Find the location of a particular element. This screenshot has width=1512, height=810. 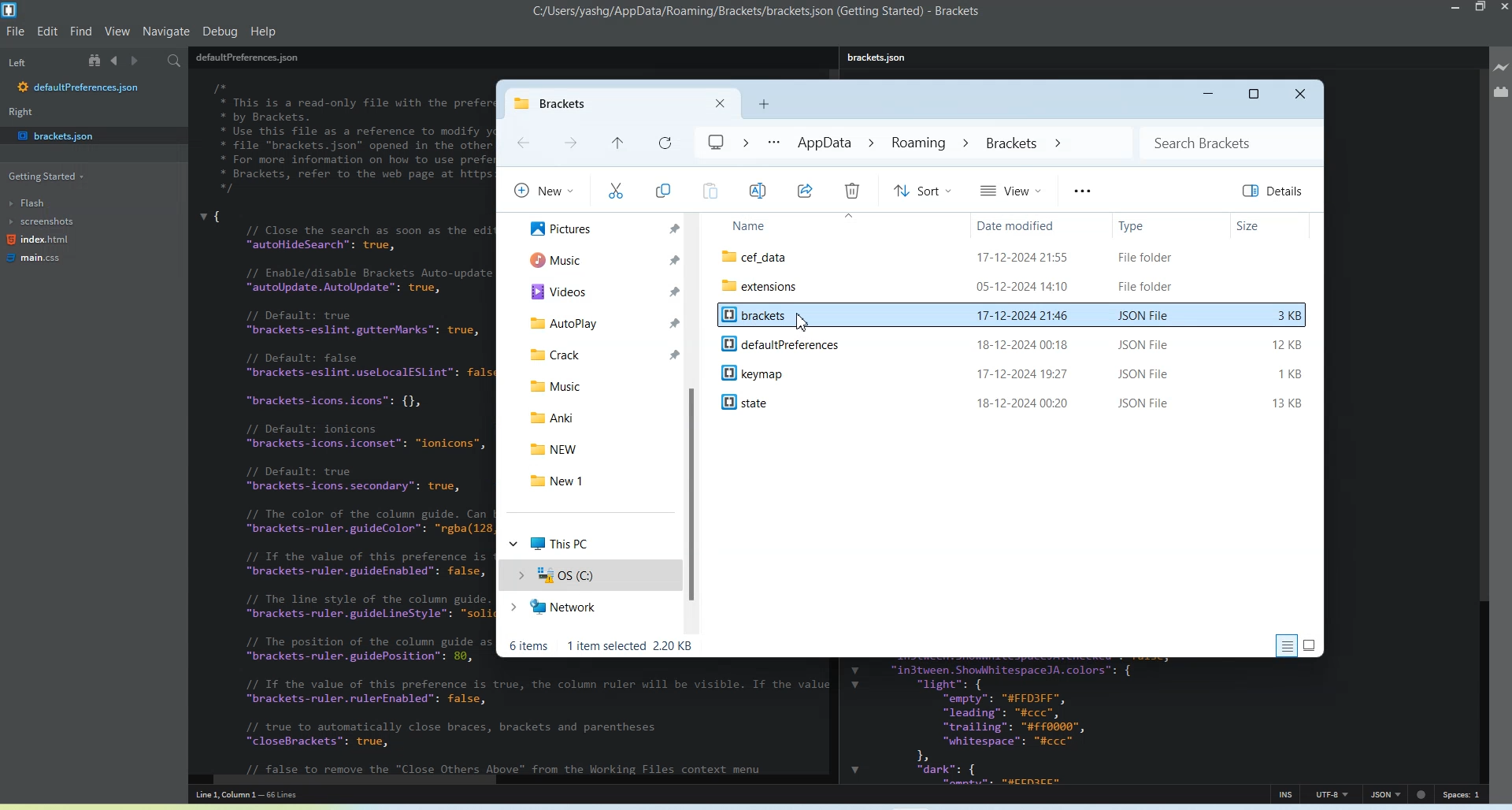

OS is located at coordinates (589, 575).